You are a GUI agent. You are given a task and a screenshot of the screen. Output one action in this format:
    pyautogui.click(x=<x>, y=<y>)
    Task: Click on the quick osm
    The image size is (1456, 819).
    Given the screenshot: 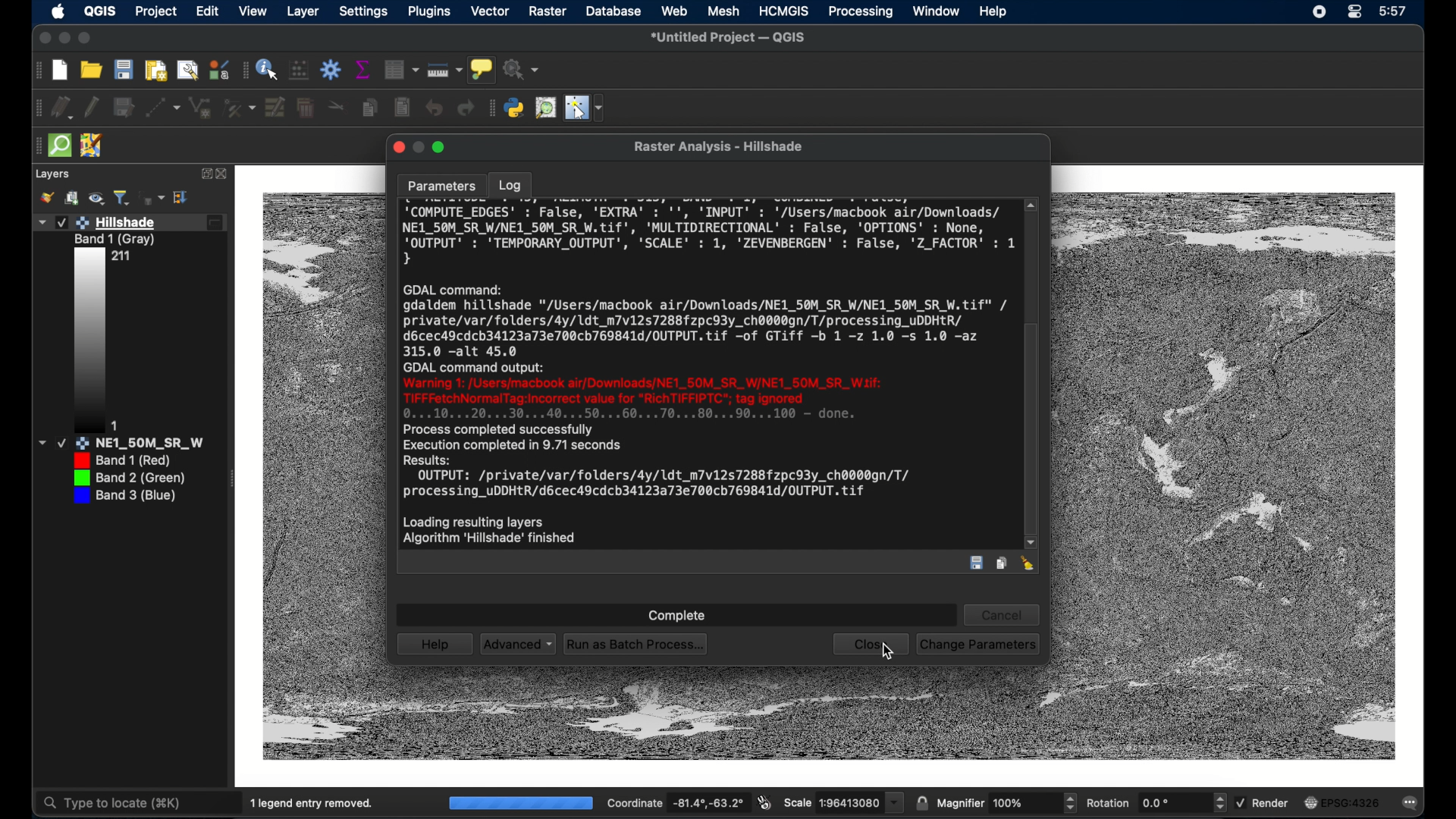 What is the action you would take?
    pyautogui.click(x=59, y=146)
    